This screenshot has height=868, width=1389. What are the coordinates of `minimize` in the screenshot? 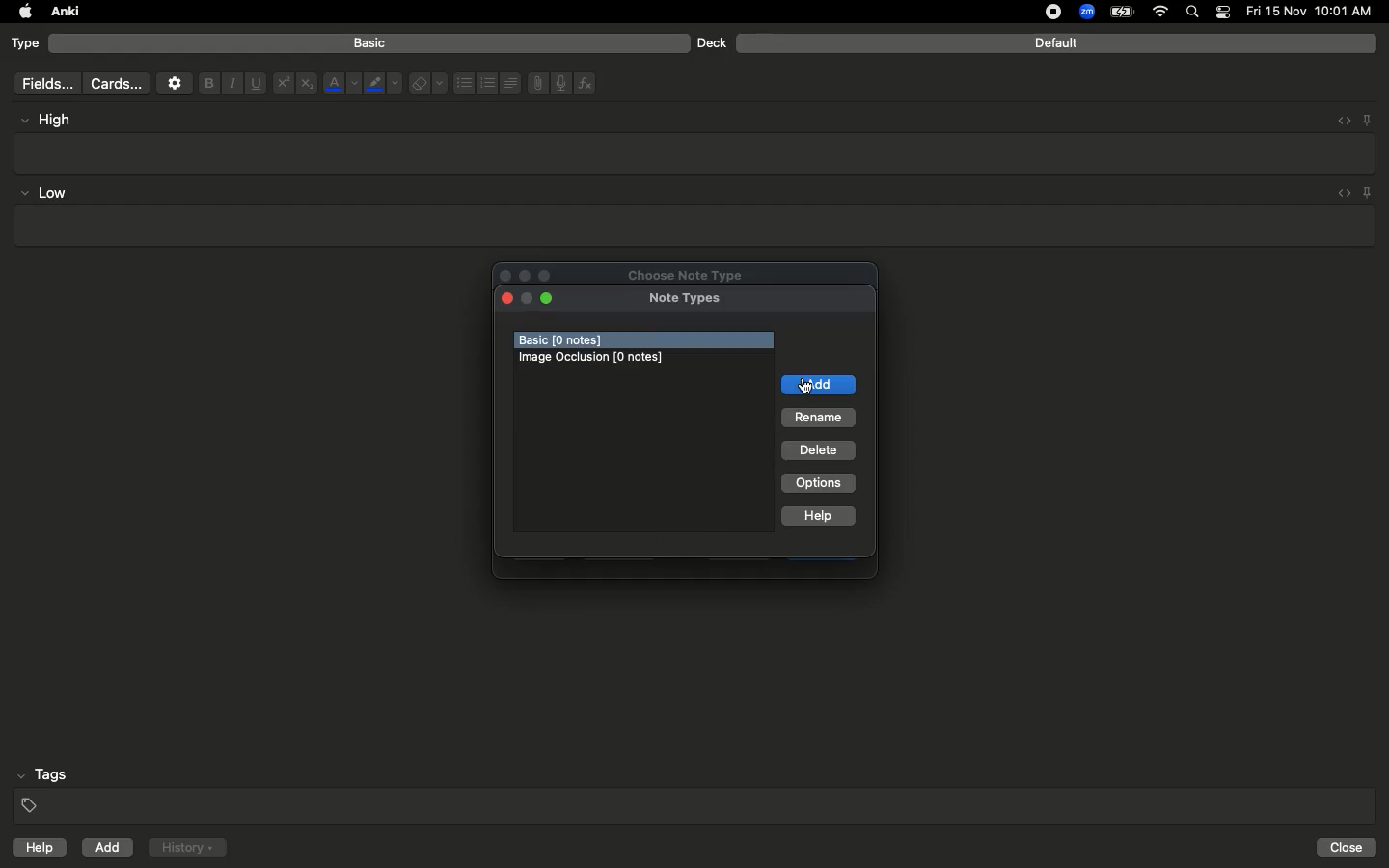 It's located at (525, 274).